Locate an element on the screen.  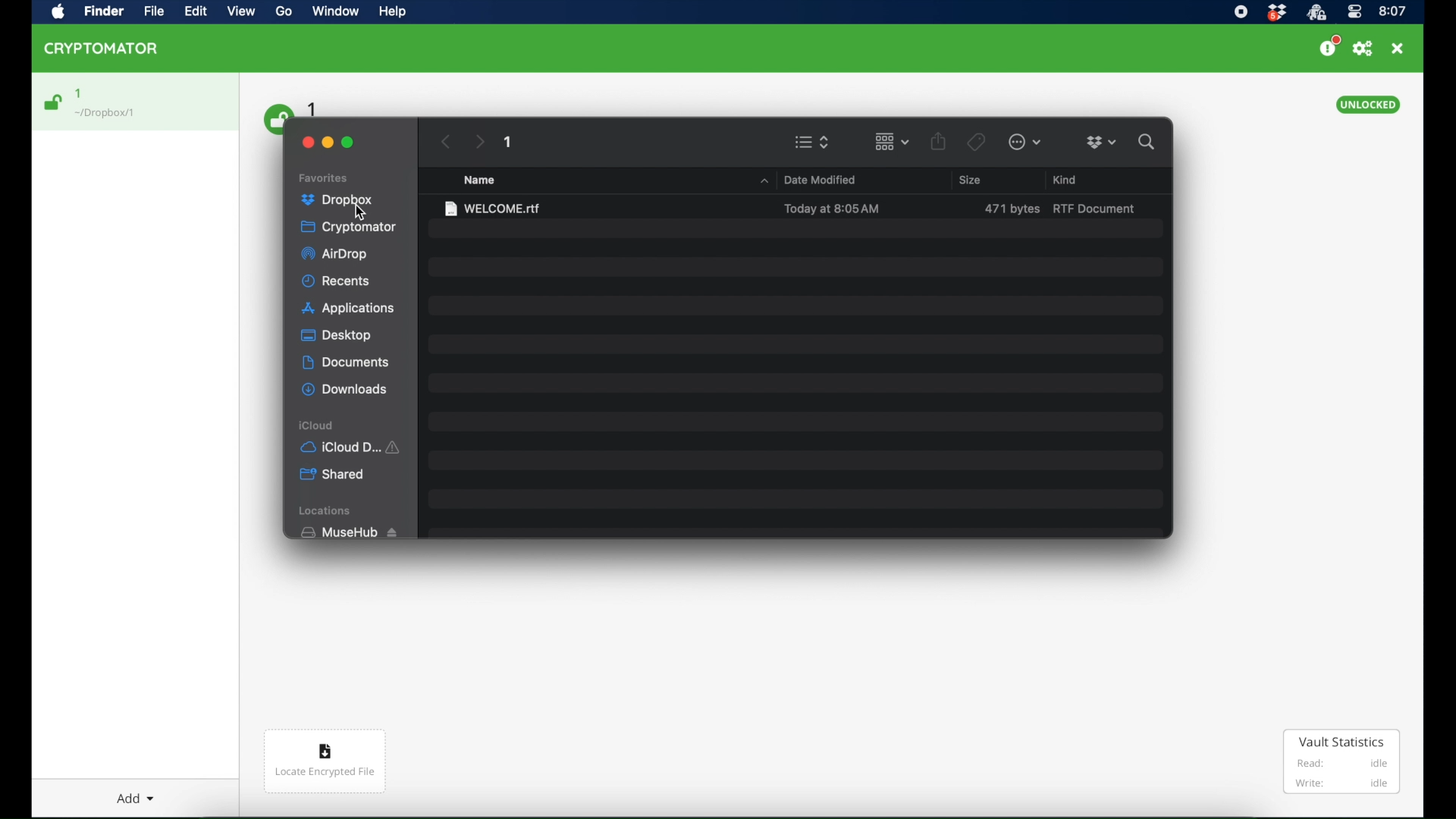
icloud is located at coordinates (317, 425).